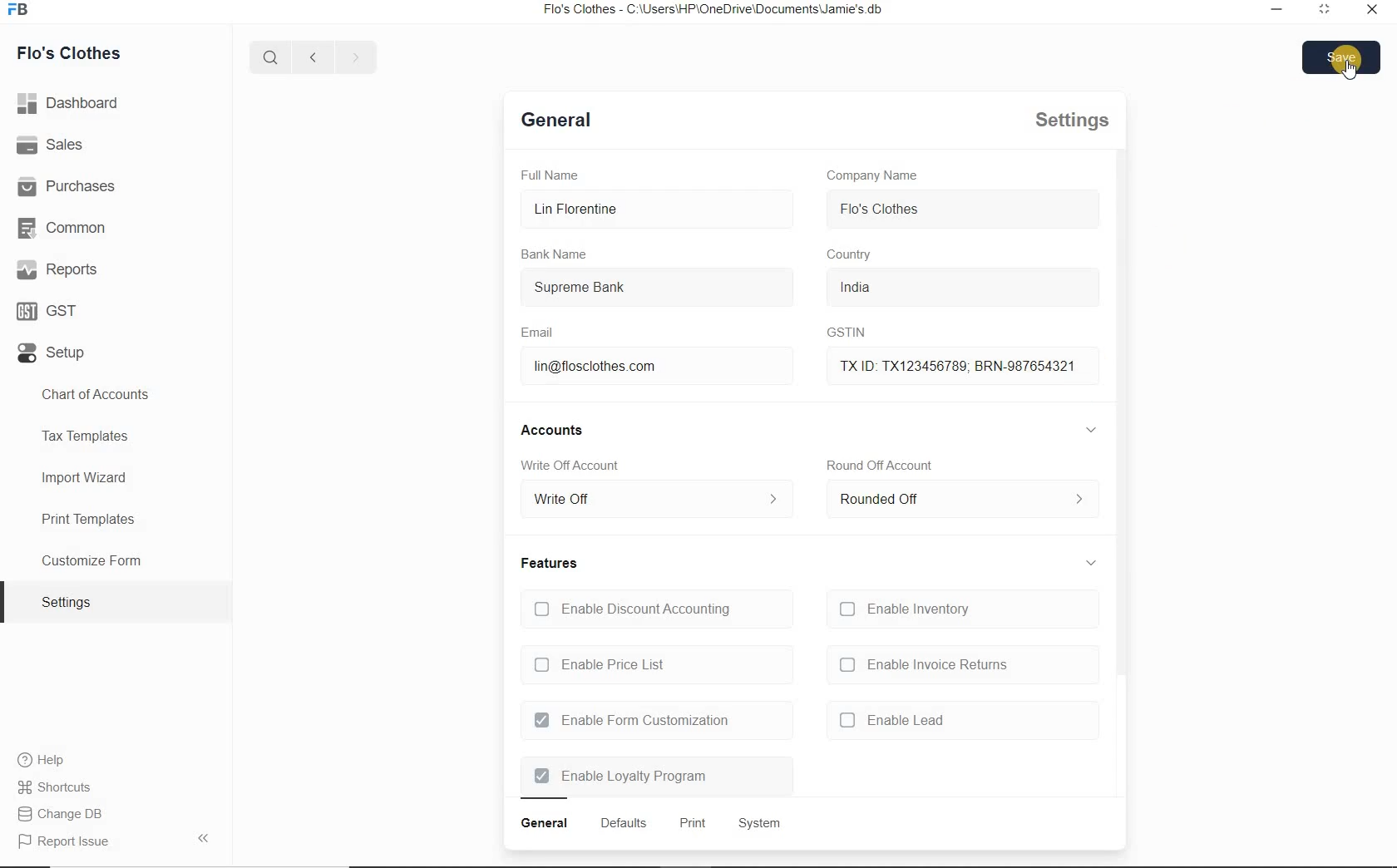 This screenshot has width=1397, height=868. Describe the element at coordinates (852, 255) in the screenshot. I see `country` at that location.